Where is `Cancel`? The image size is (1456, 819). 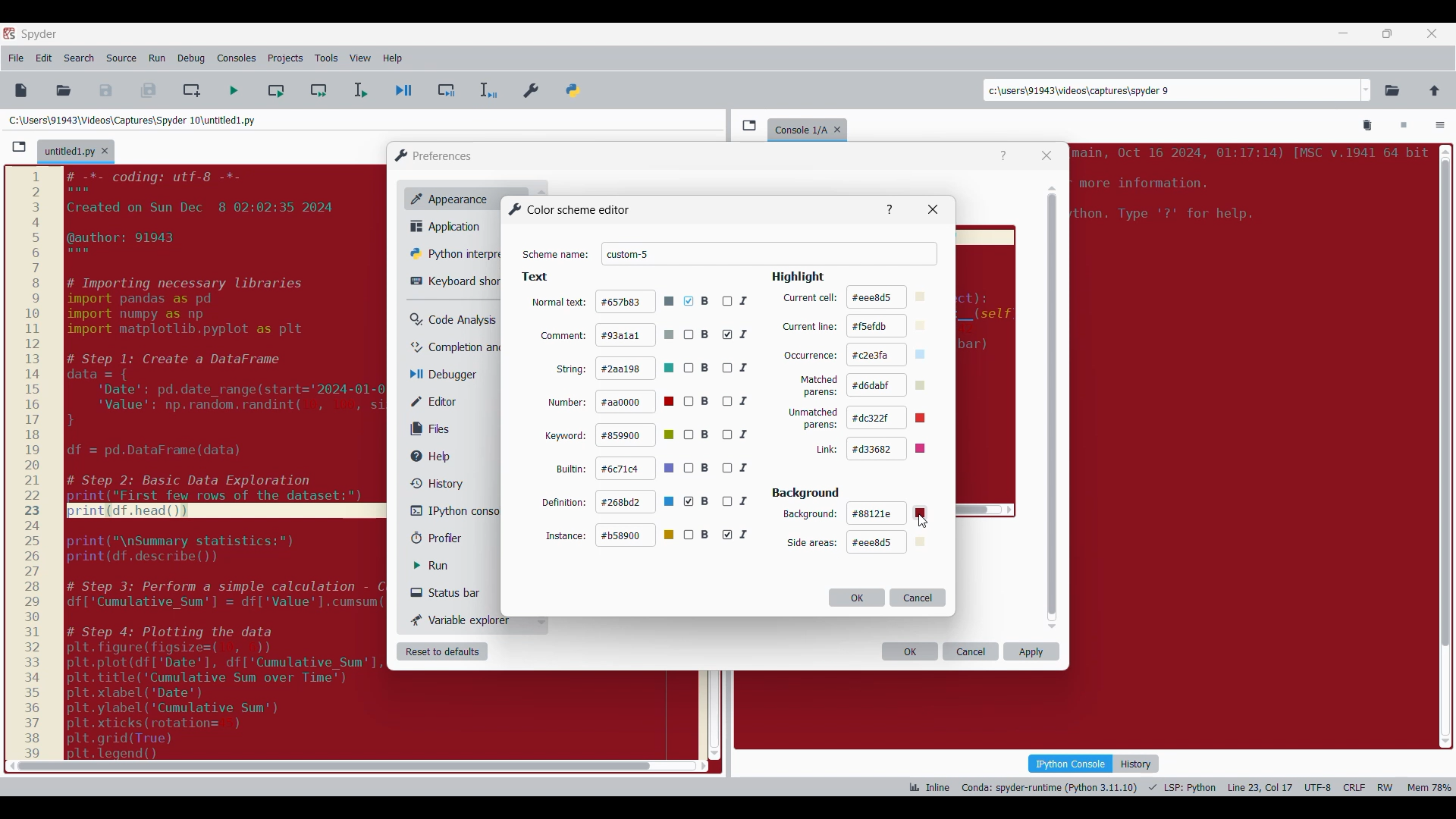
Cancel is located at coordinates (918, 597).